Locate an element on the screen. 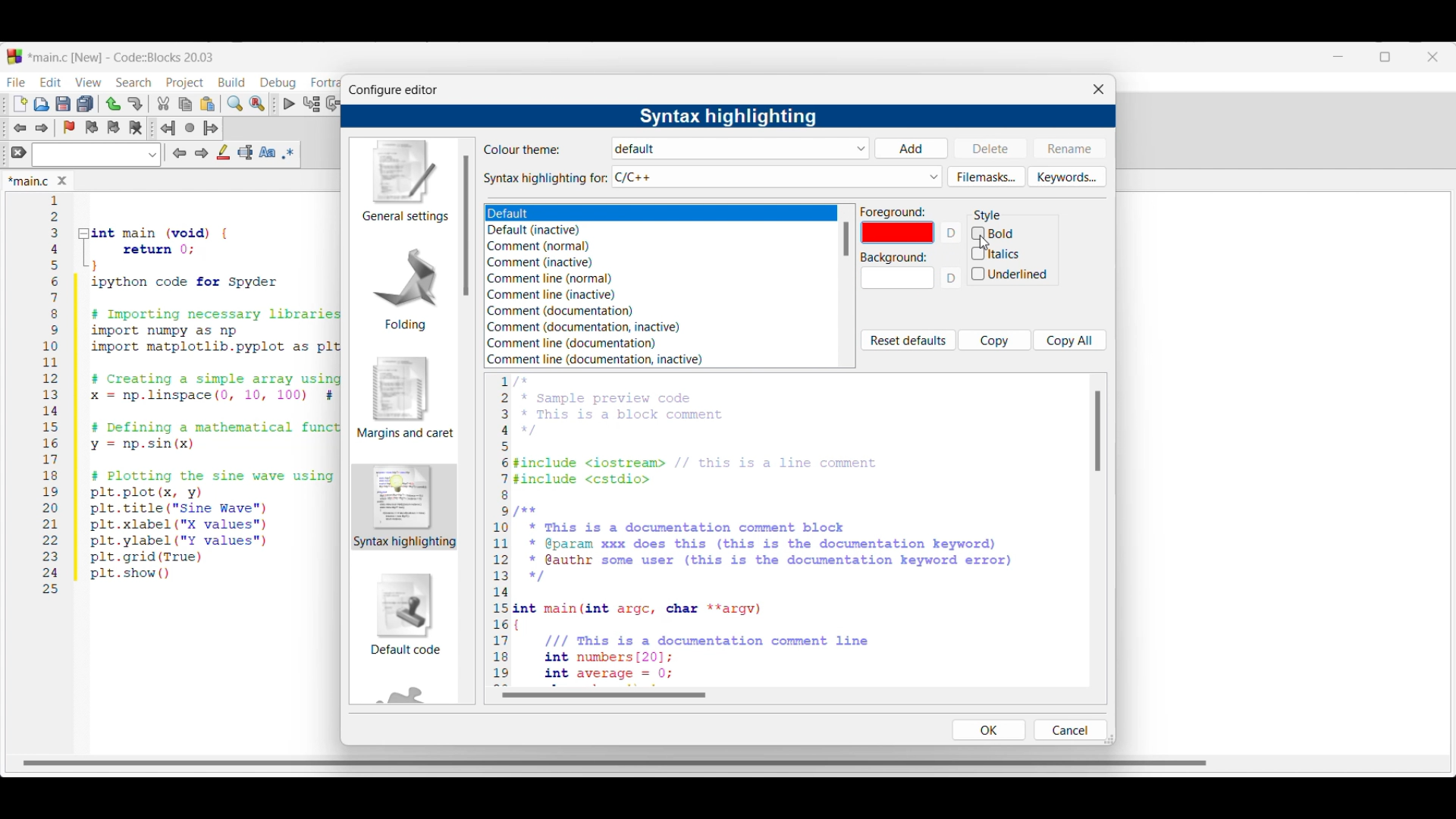  Next bookmark is located at coordinates (113, 127).